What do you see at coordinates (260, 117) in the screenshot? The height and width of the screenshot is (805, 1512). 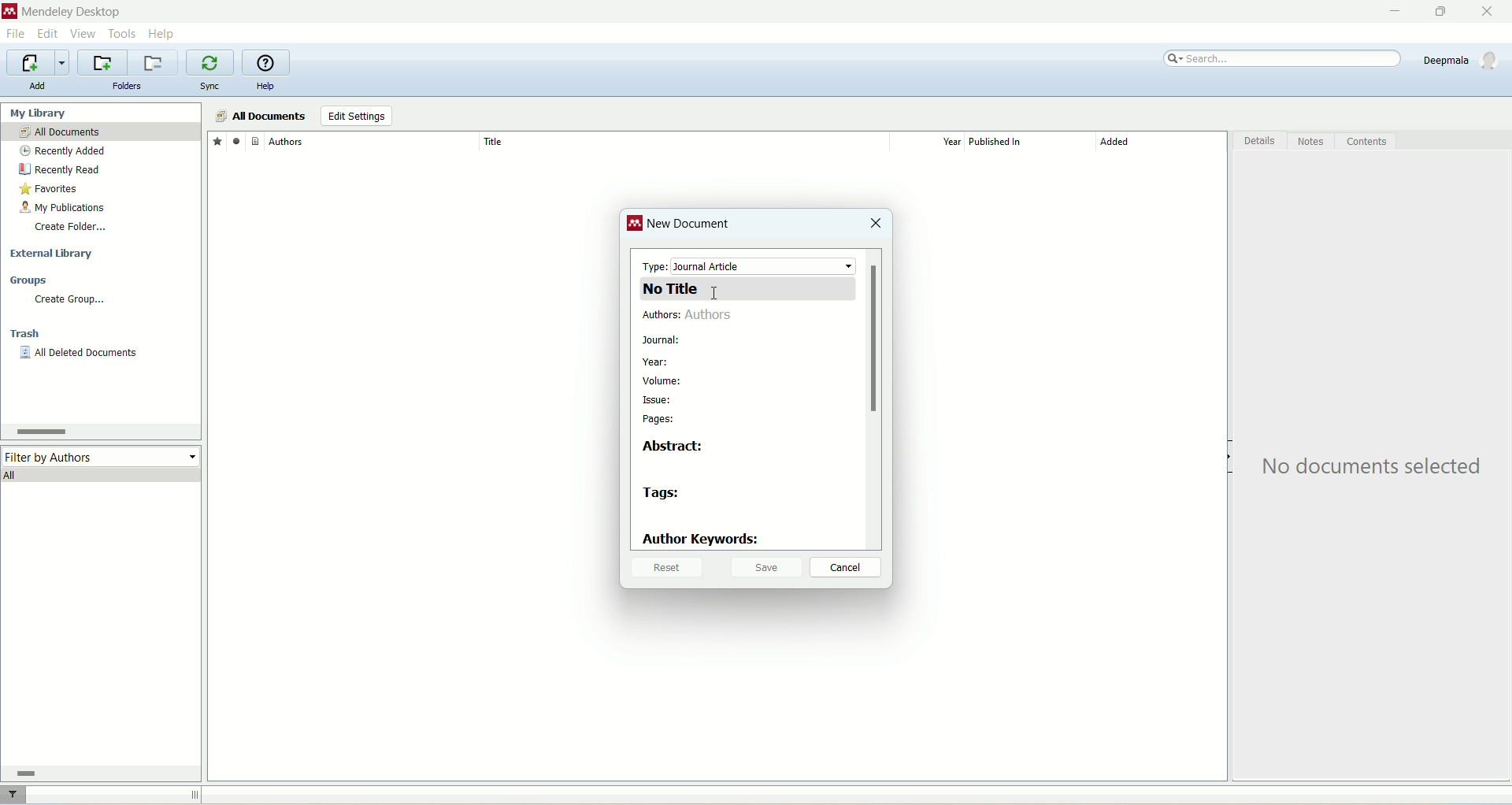 I see `all documents` at bounding box center [260, 117].